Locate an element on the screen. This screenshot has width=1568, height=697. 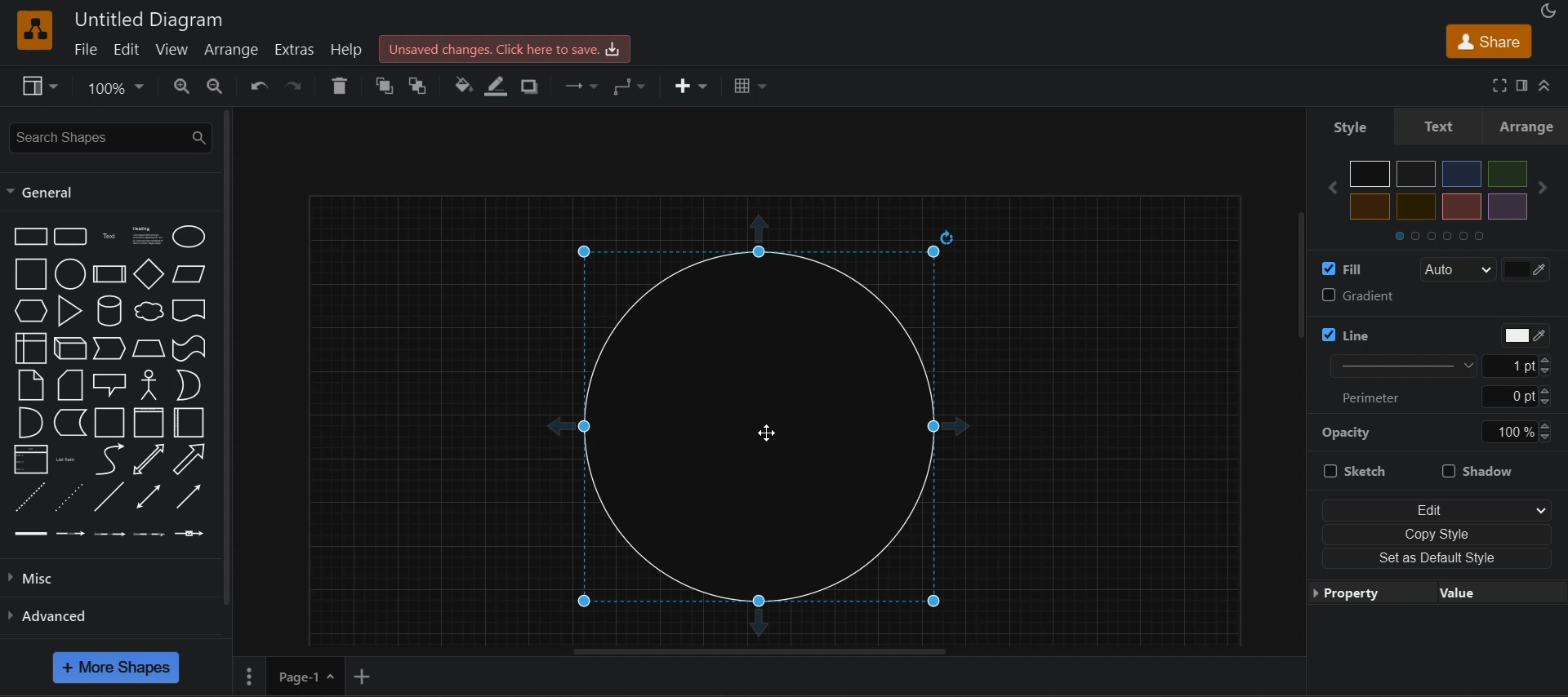
edit is located at coordinates (1434, 509).